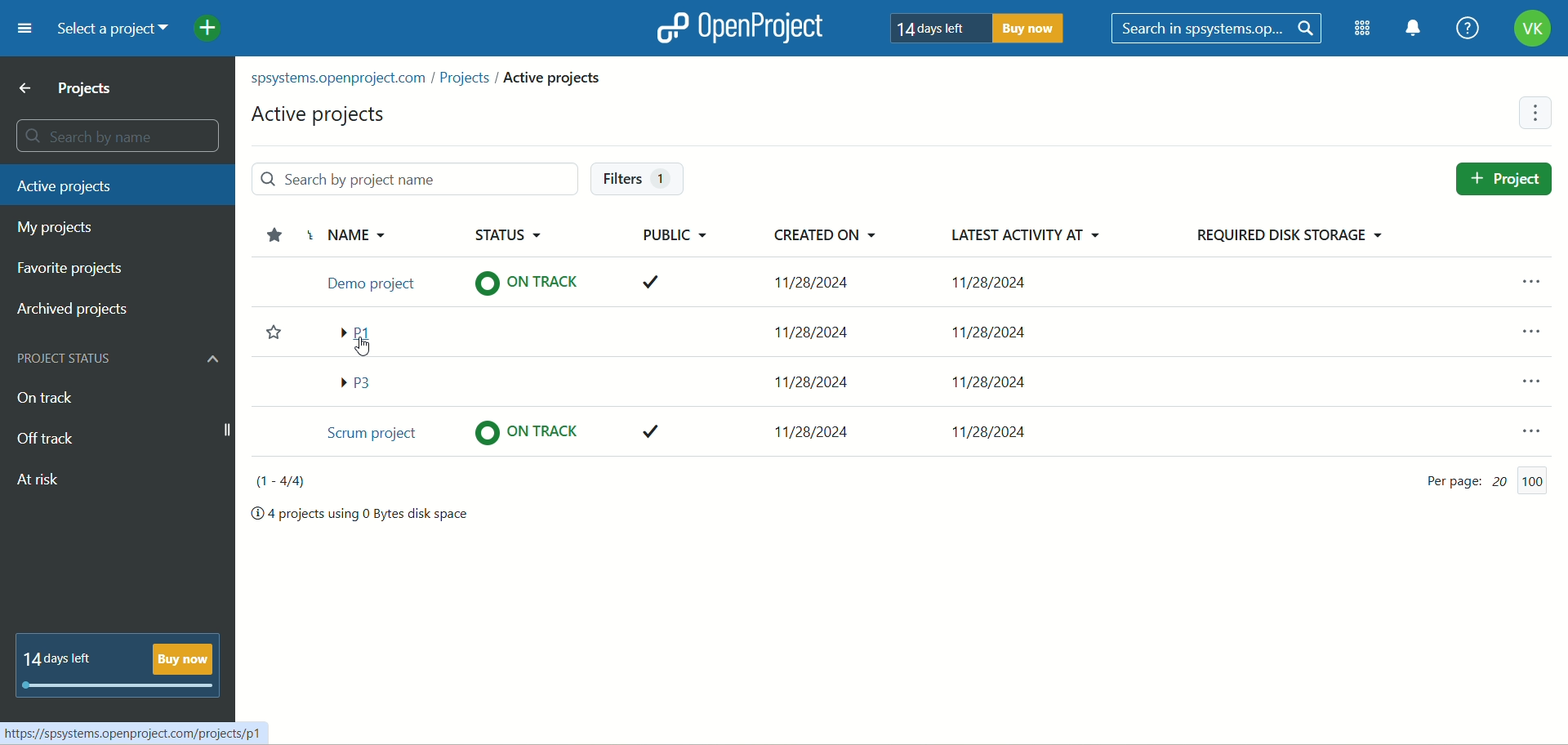 This screenshot has height=745, width=1568. Describe the element at coordinates (808, 240) in the screenshot. I see `created on` at that location.